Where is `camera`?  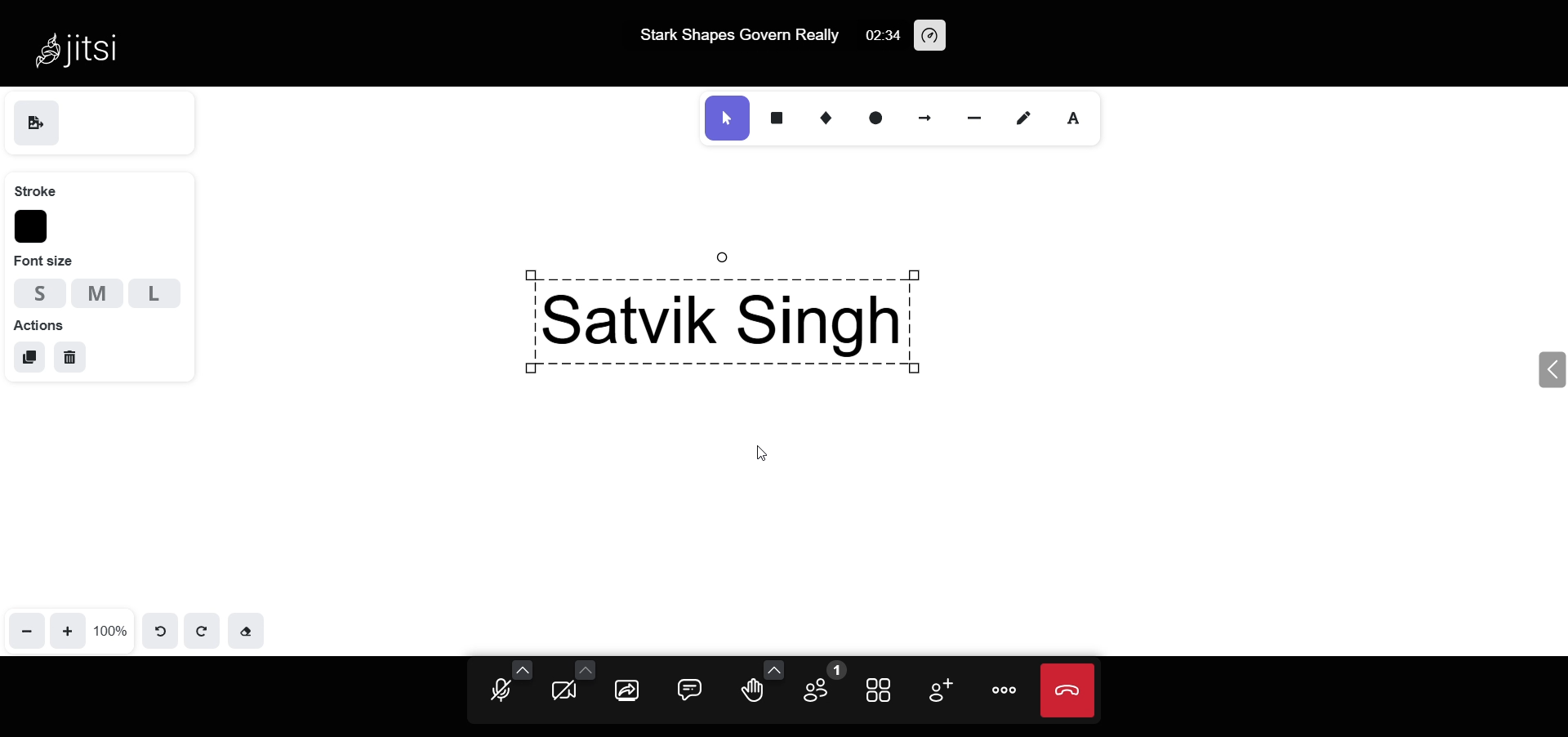
camera is located at coordinates (565, 691).